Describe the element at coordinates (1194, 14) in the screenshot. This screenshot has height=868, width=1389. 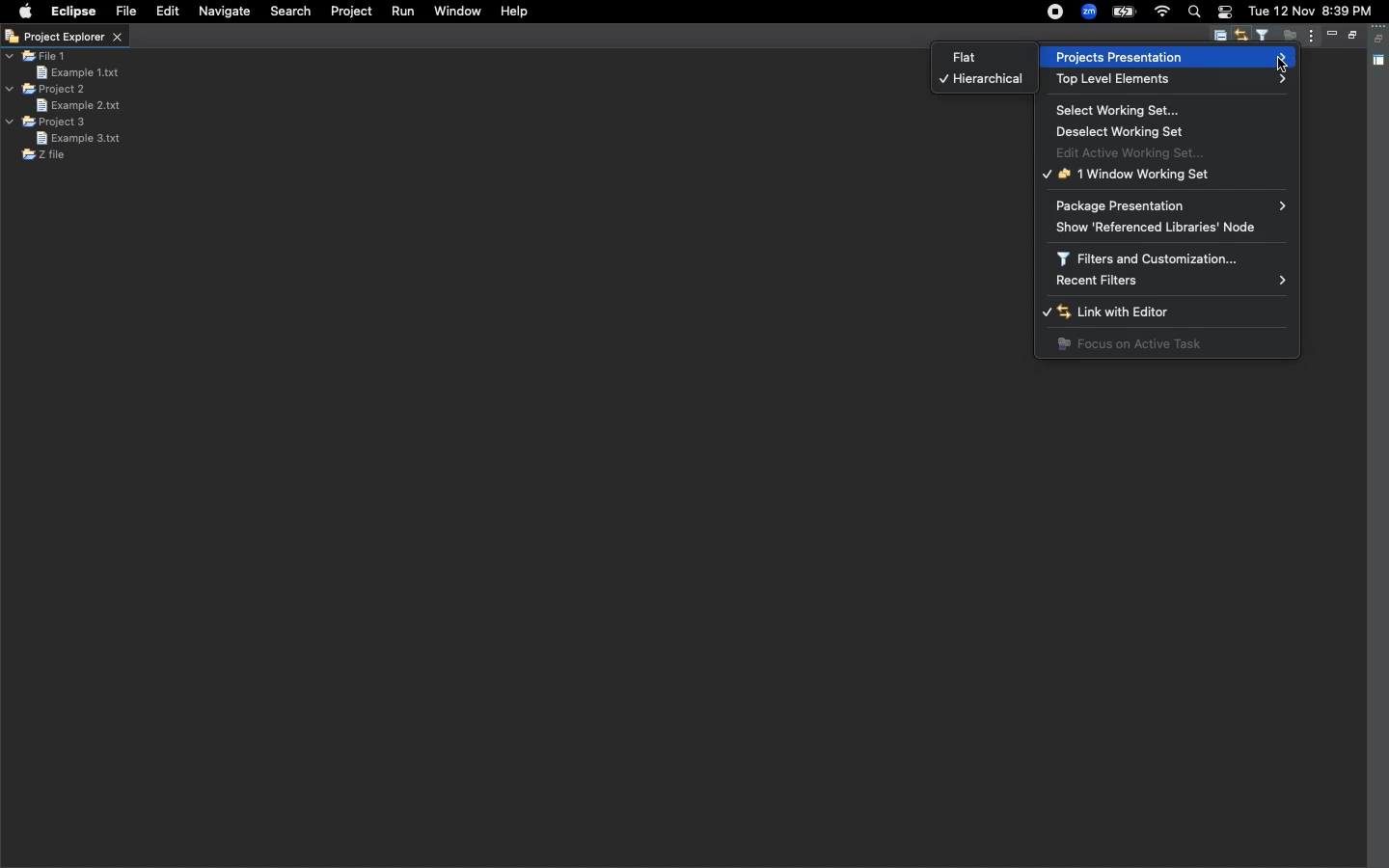
I see `Search` at that location.